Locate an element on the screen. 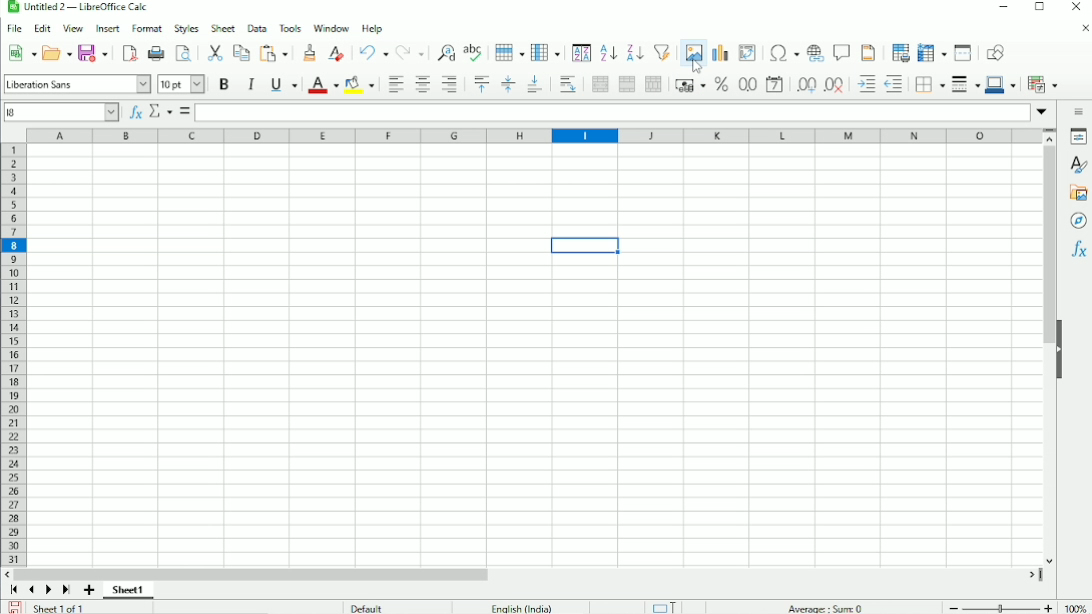  Sort descending is located at coordinates (633, 52).